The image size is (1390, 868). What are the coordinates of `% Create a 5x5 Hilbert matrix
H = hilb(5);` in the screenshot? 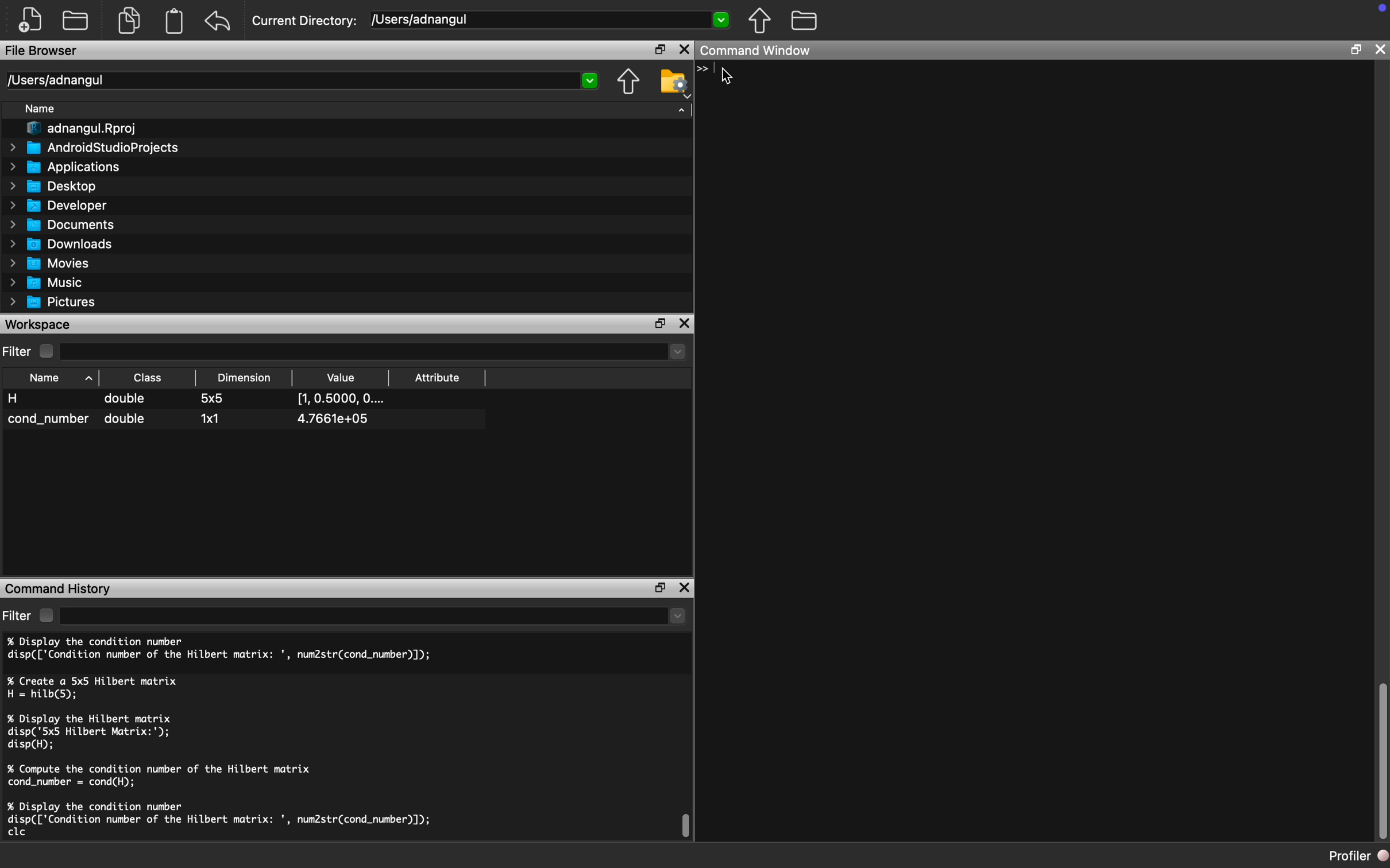 It's located at (94, 688).